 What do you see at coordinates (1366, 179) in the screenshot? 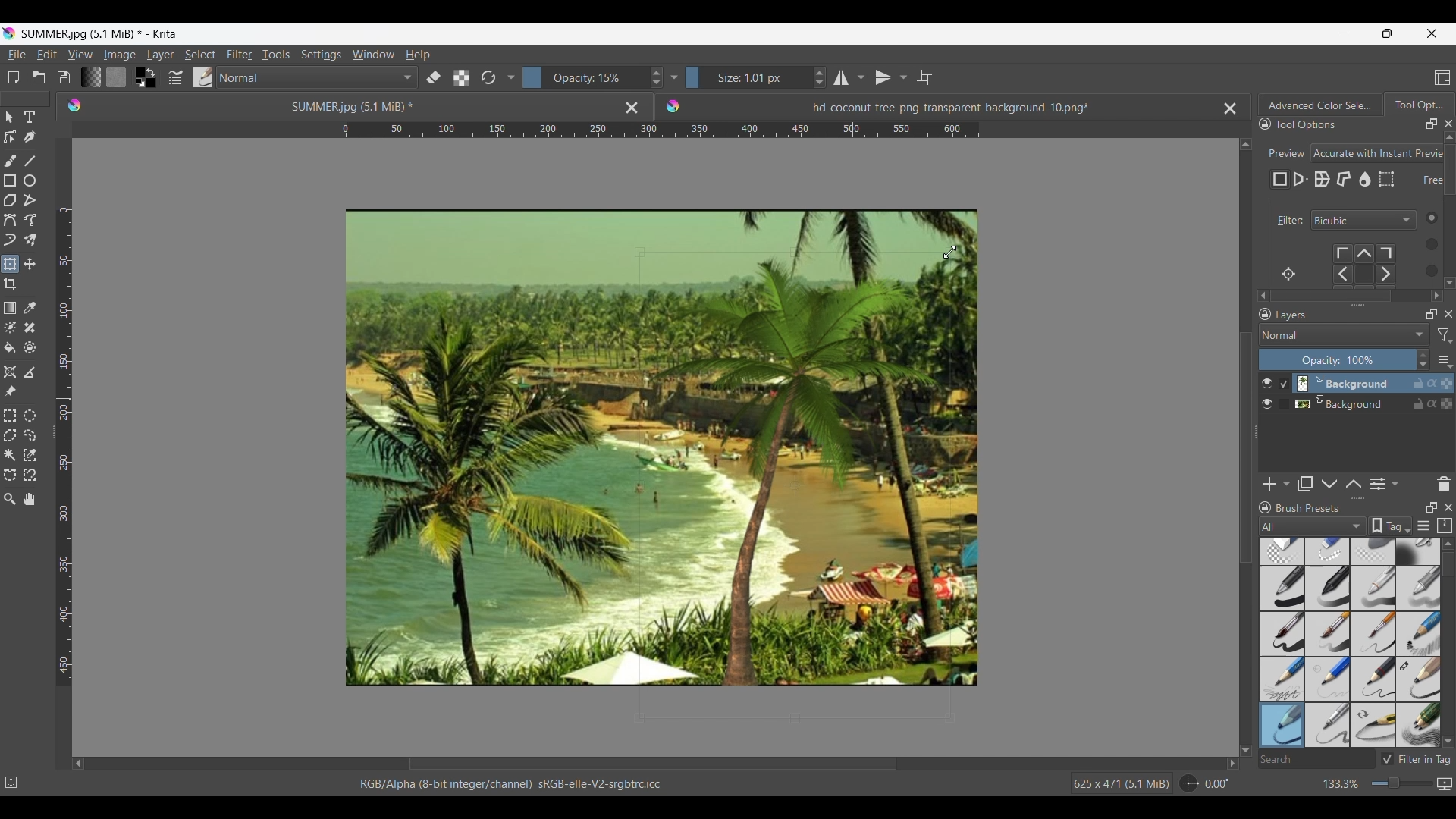
I see `Liquify` at bounding box center [1366, 179].